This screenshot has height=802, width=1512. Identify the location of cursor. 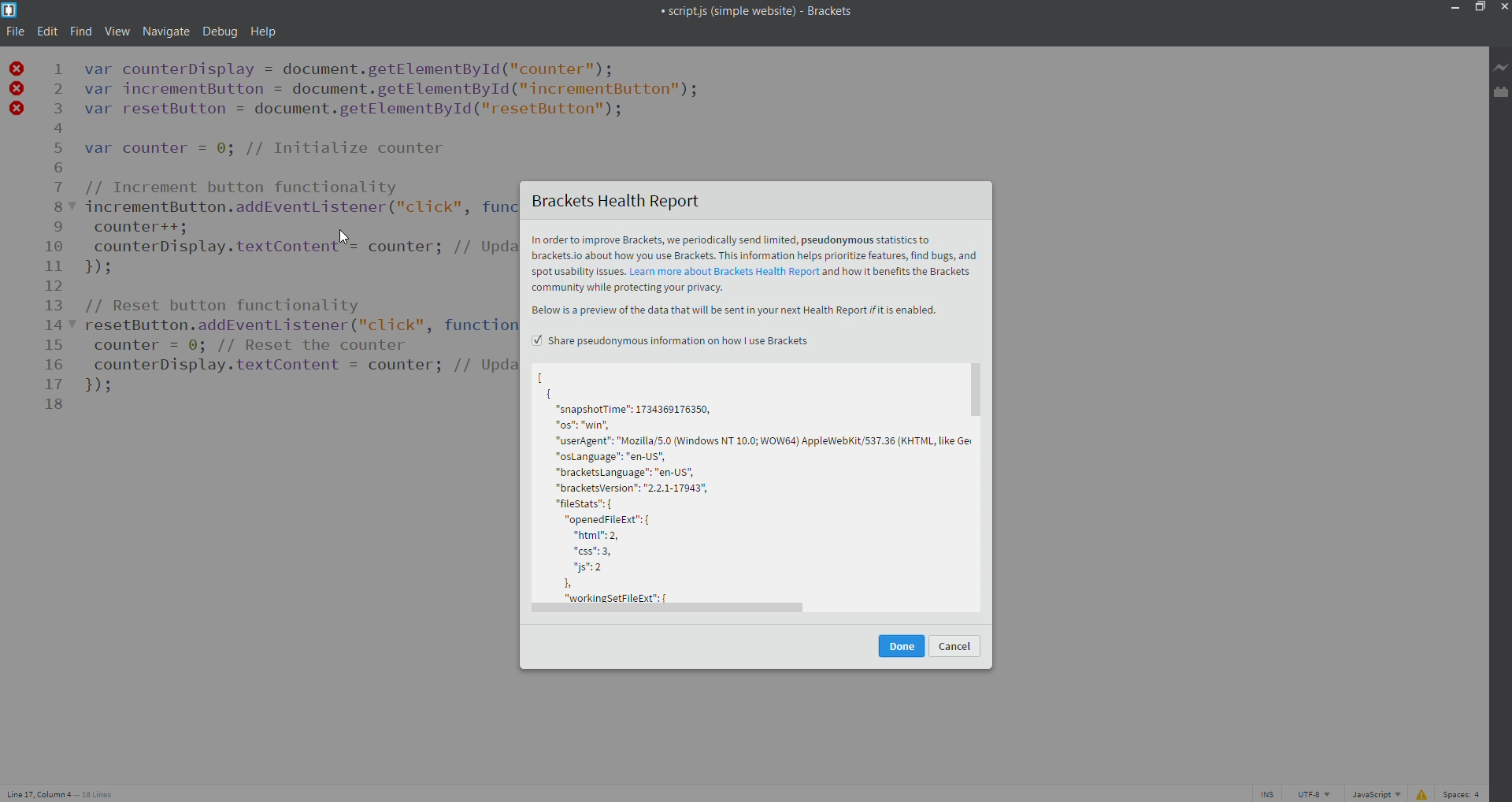
(344, 239).